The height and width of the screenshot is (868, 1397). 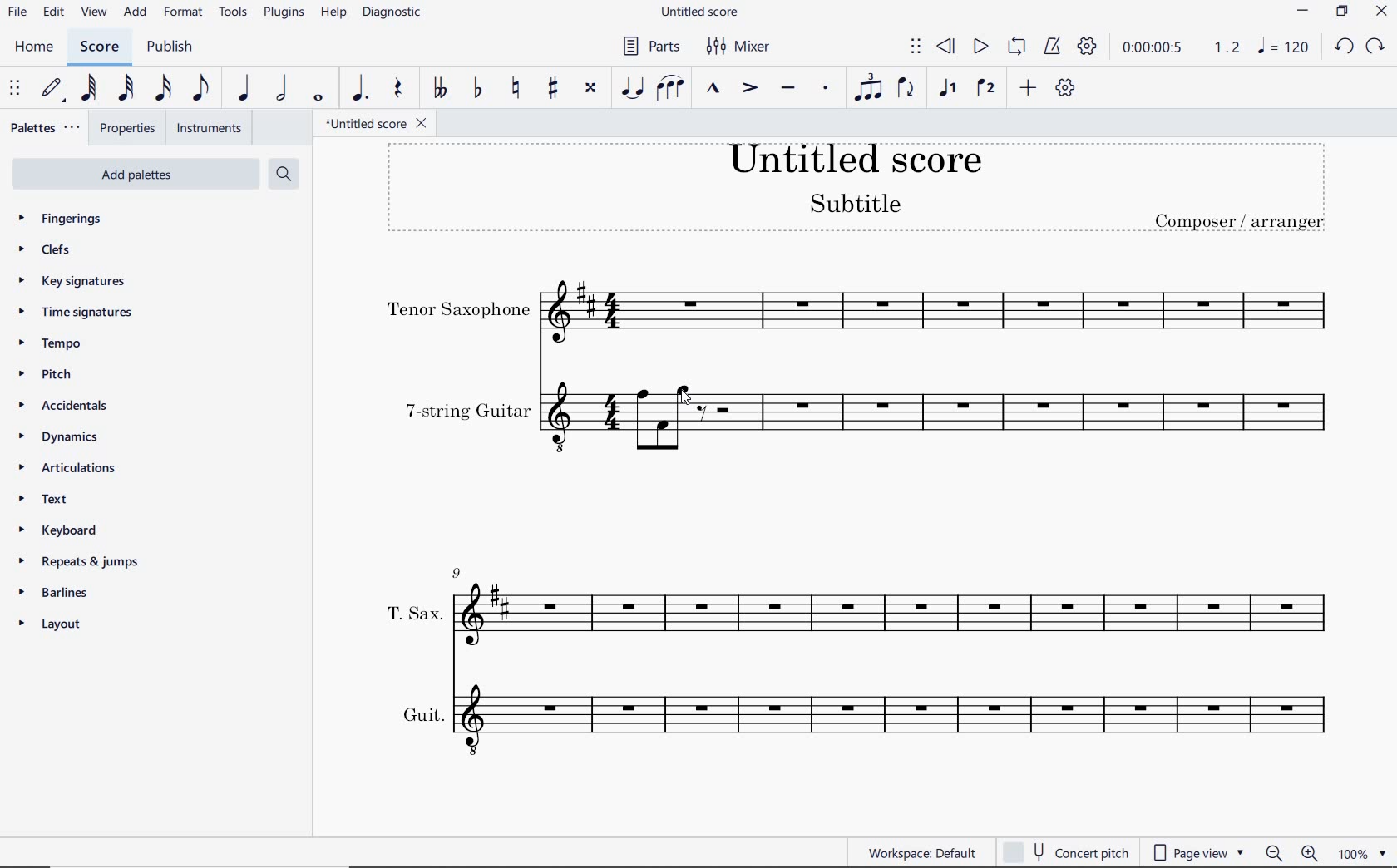 What do you see at coordinates (50, 247) in the screenshot?
I see `CLEFS` at bounding box center [50, 247].